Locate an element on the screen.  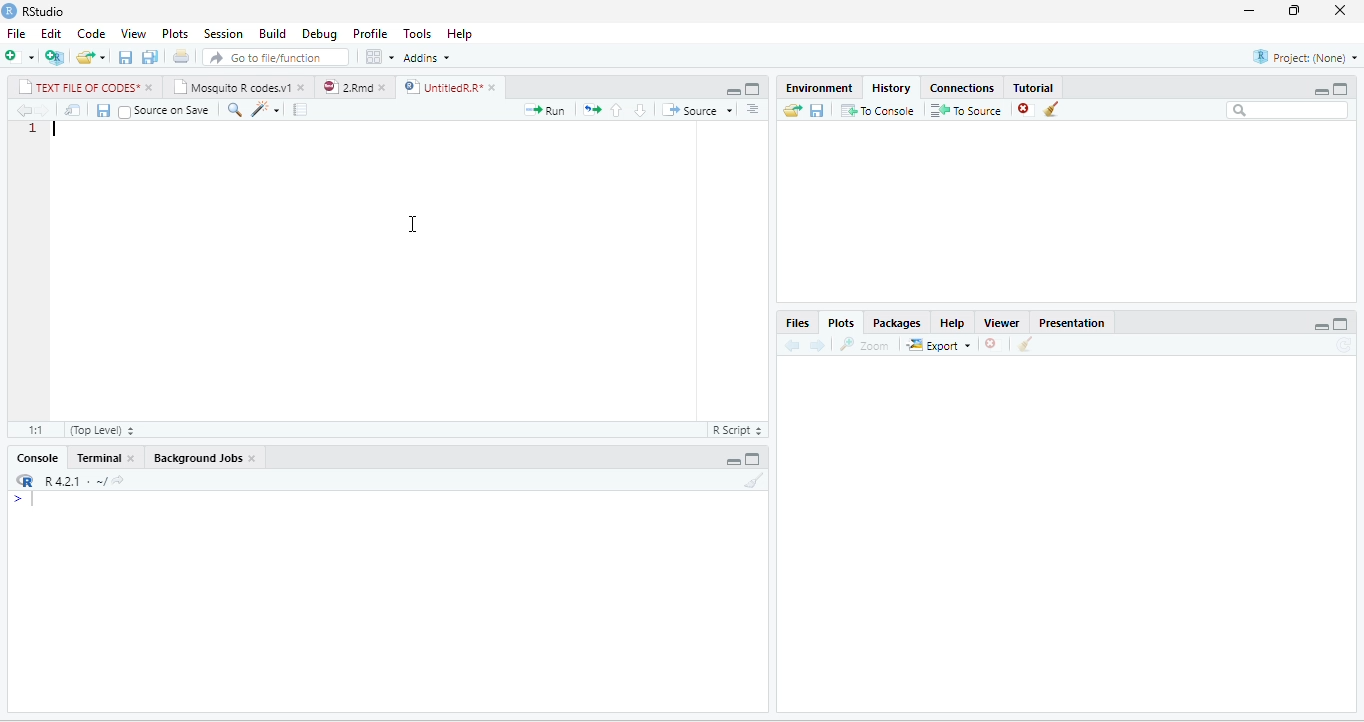
Mosquito R codes.v1 is located at coordinates (232, 87).